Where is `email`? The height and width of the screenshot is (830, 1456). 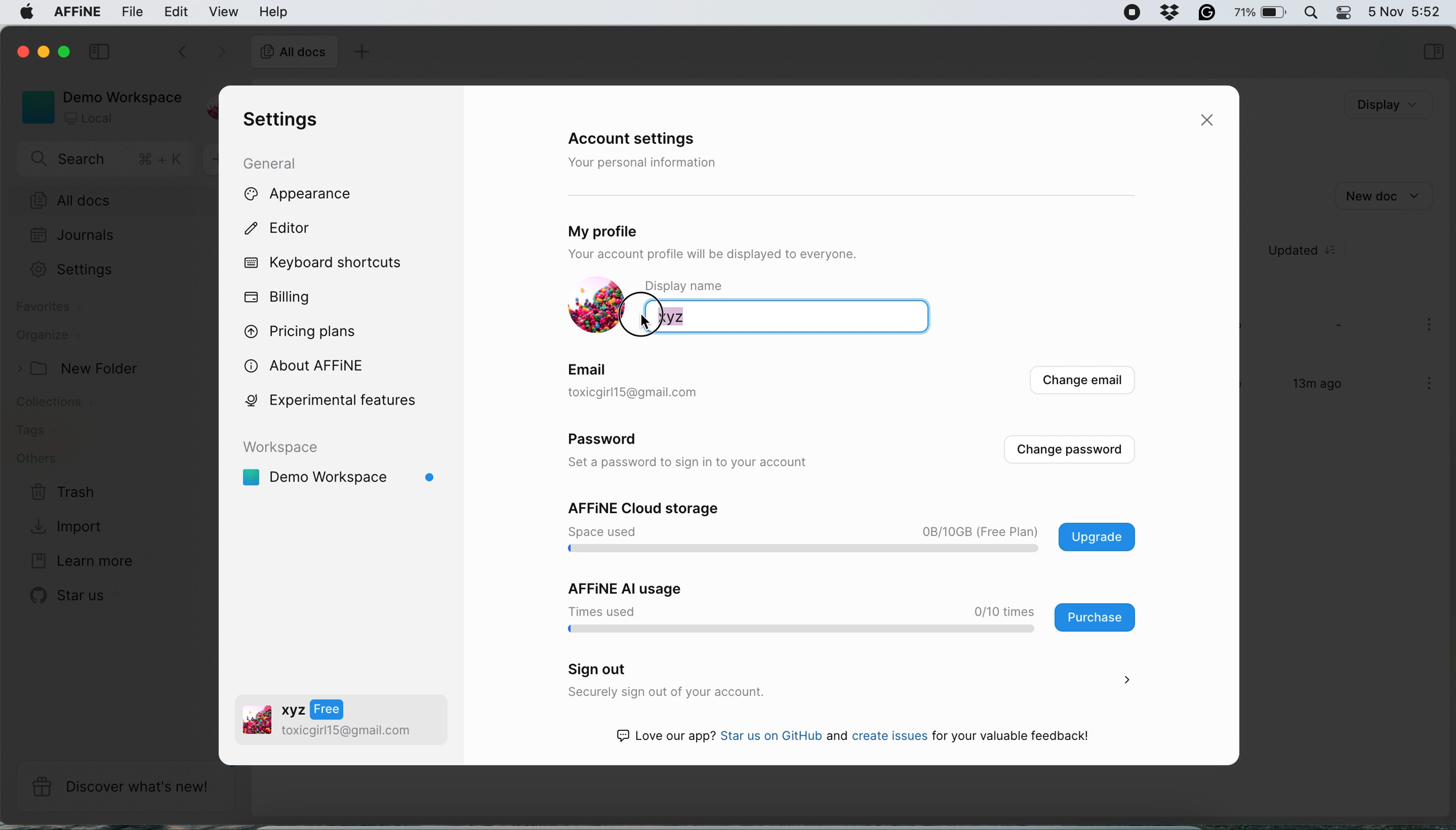 email is located at coordinates (590, 368).